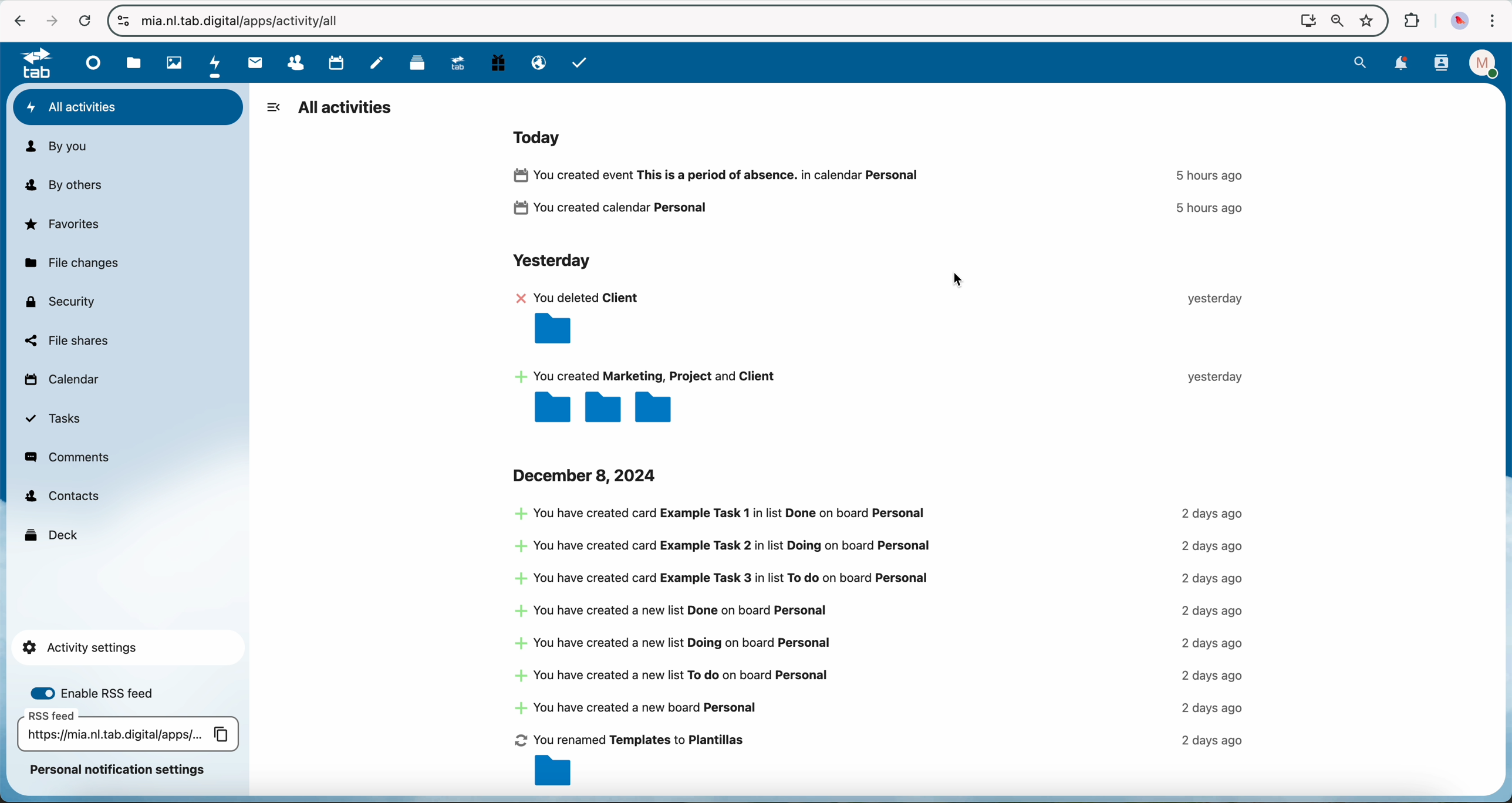  I want to click on deck, so click(413, 63).